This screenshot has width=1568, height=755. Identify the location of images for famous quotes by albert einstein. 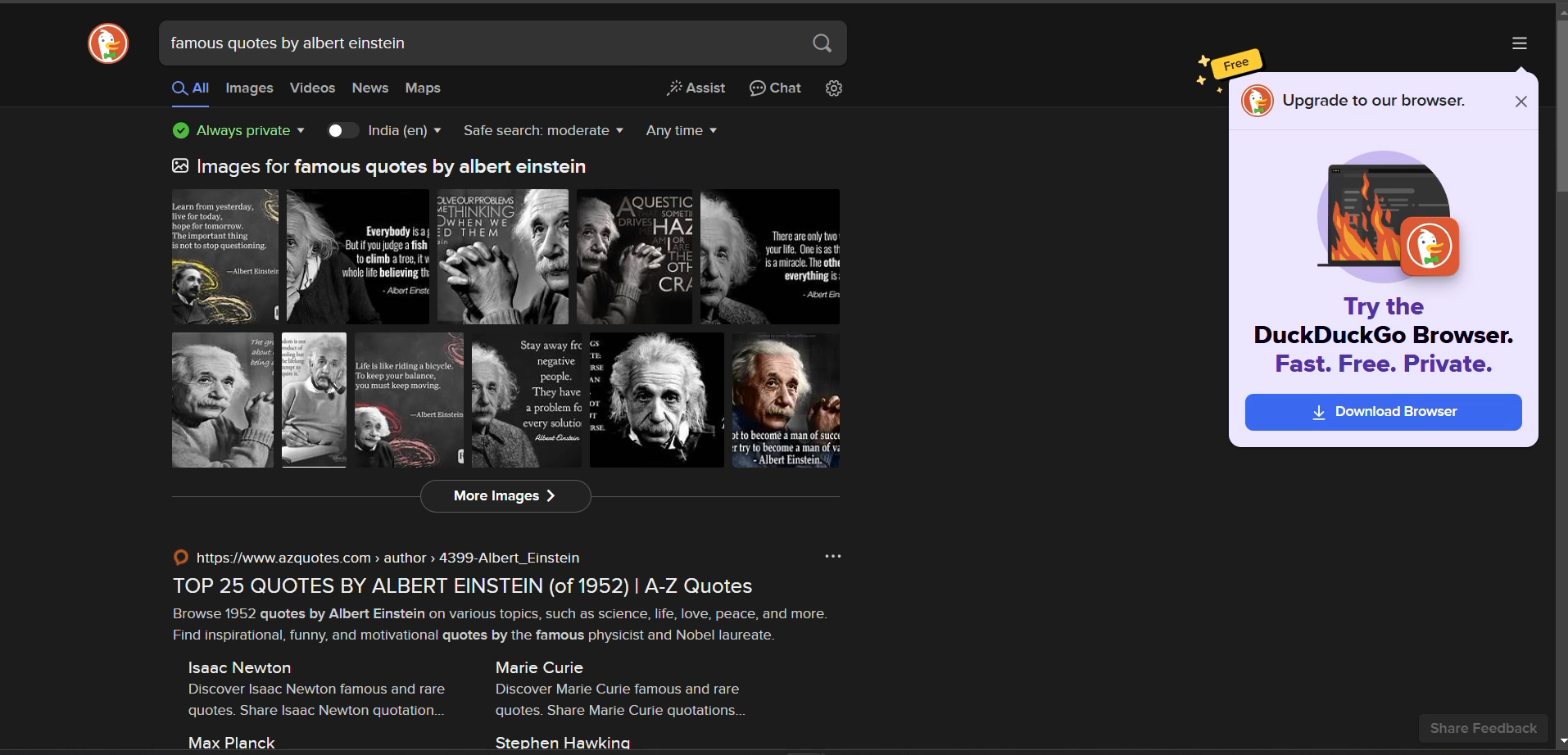
(377, 166).